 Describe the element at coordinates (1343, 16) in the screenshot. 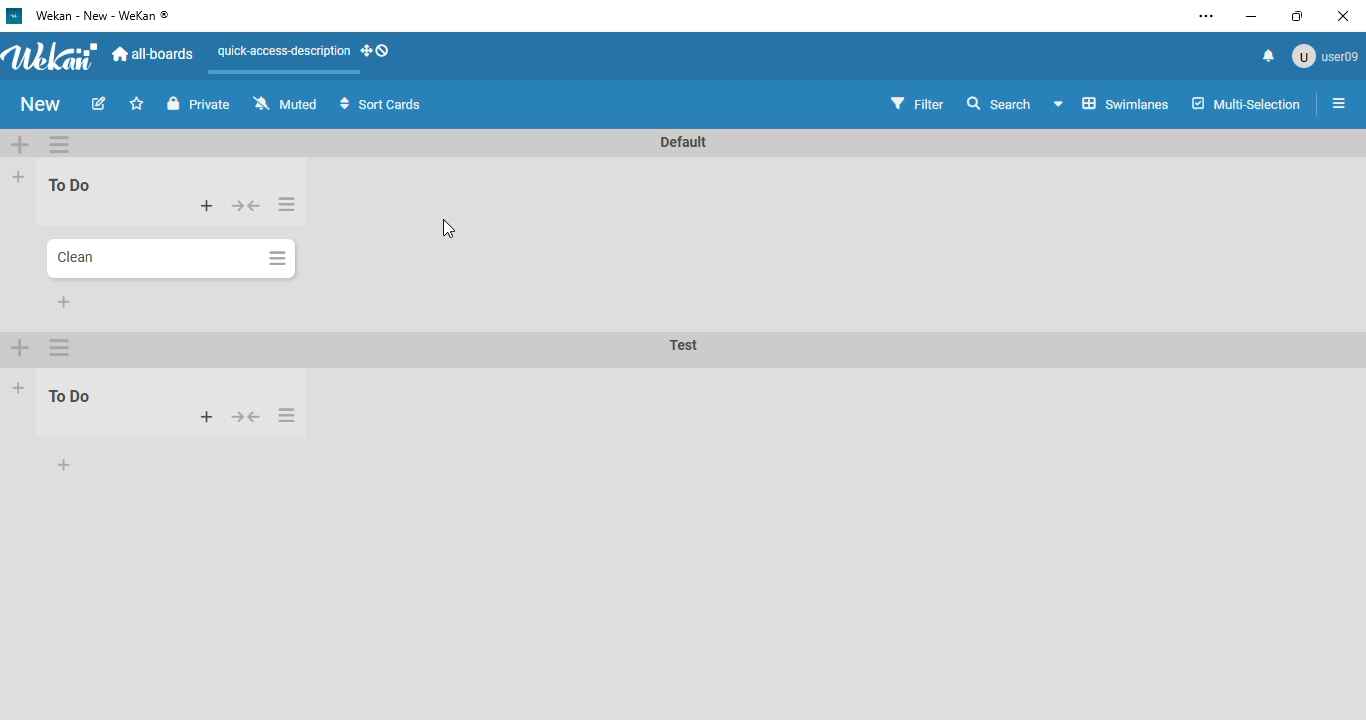

I see `close` at that location.